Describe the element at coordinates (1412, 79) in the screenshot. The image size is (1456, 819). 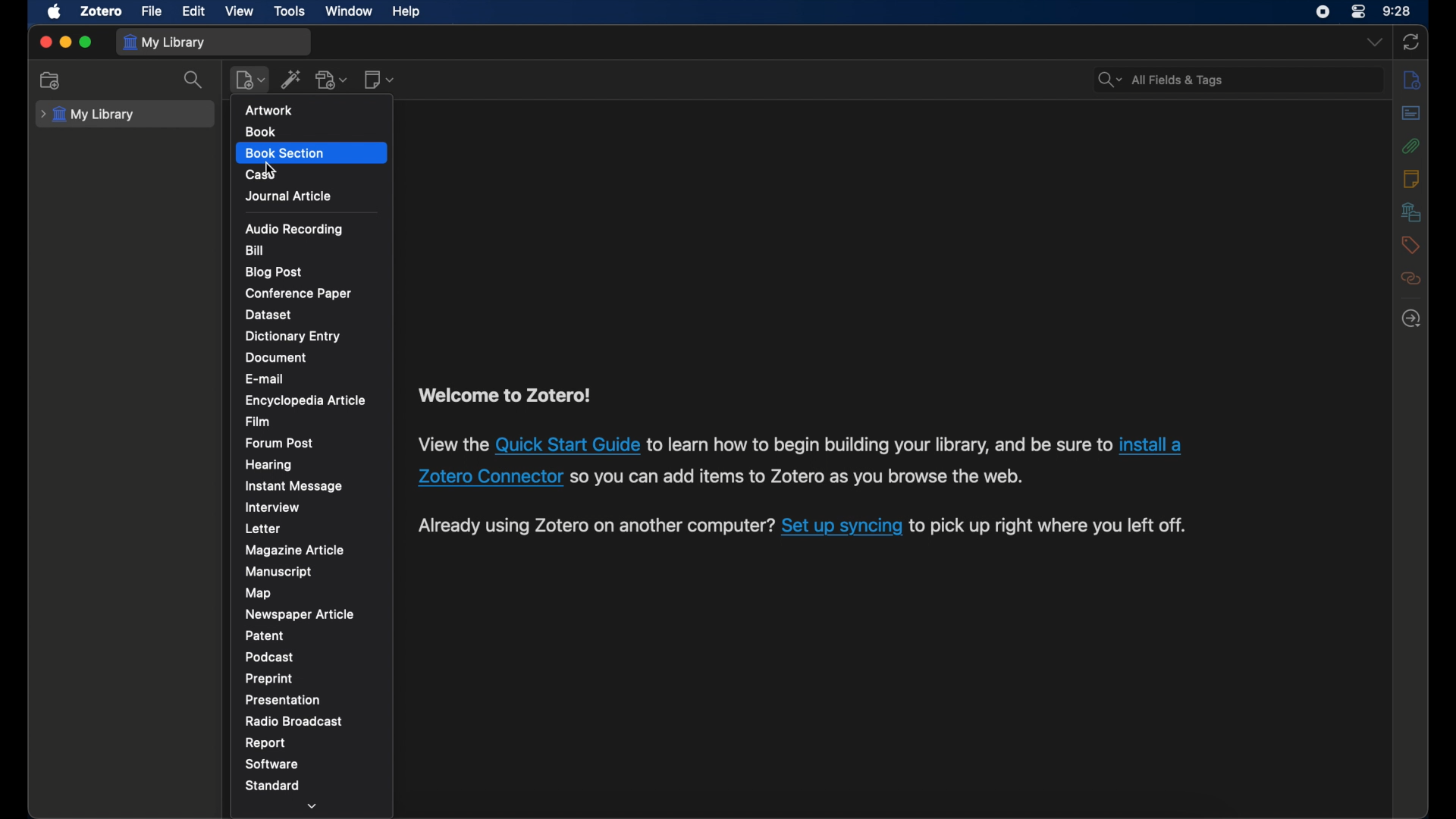
I see `info` at that location.